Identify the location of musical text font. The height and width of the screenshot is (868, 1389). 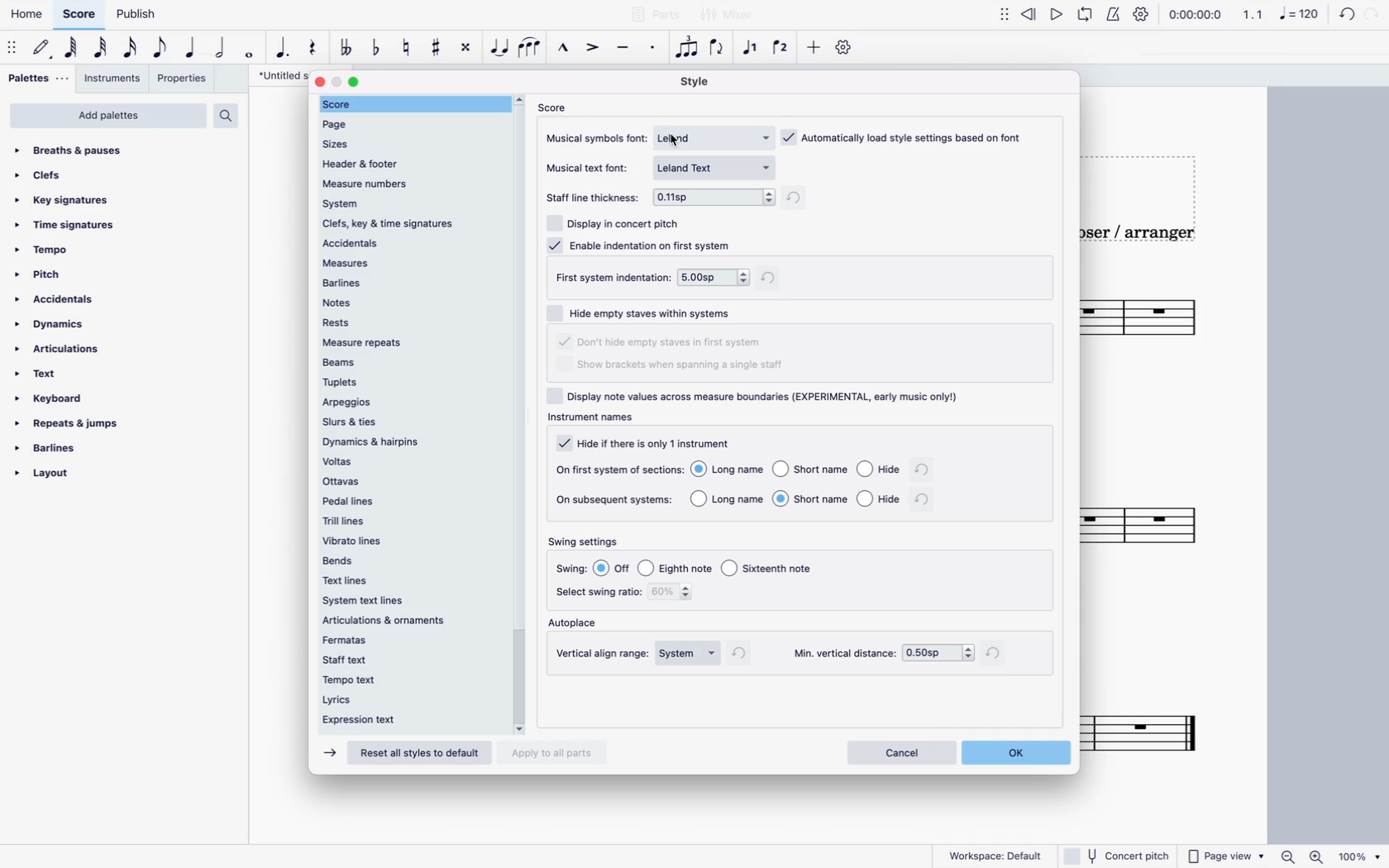
(593, 167).